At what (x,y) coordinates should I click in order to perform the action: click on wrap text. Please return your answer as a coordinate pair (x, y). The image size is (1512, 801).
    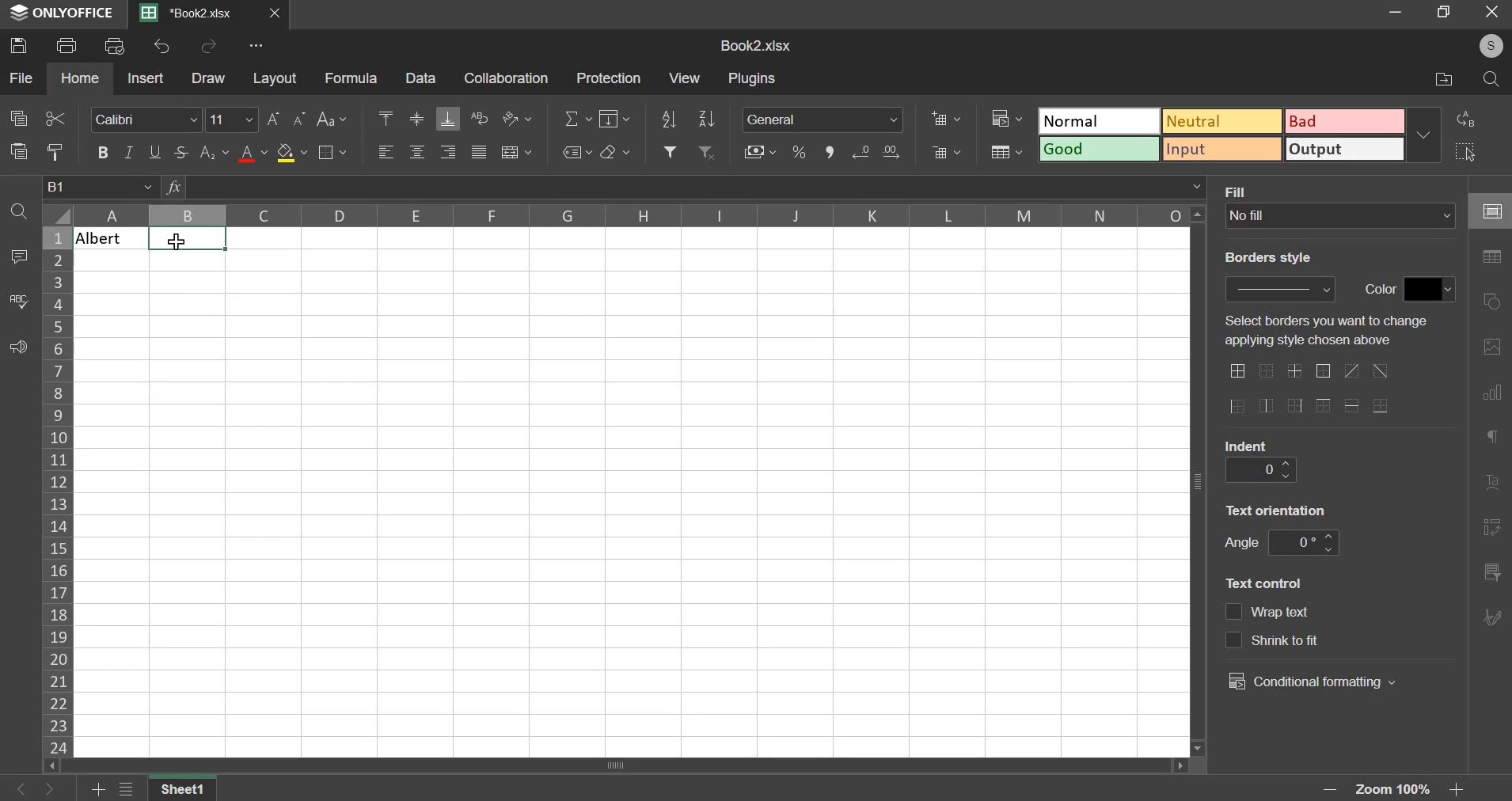
    Looking at the image, I should click on (478, 118).